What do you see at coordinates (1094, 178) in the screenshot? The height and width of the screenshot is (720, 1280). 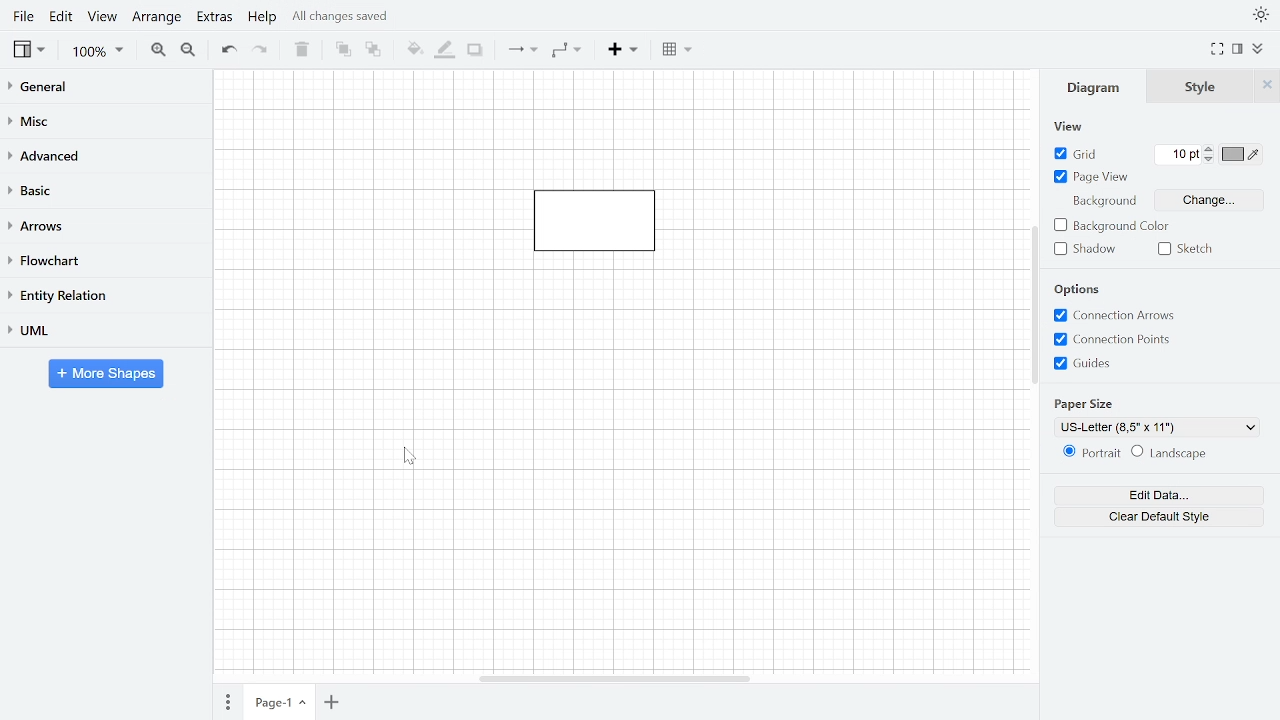 I see `Page view` at bounding box center [1094, 178].